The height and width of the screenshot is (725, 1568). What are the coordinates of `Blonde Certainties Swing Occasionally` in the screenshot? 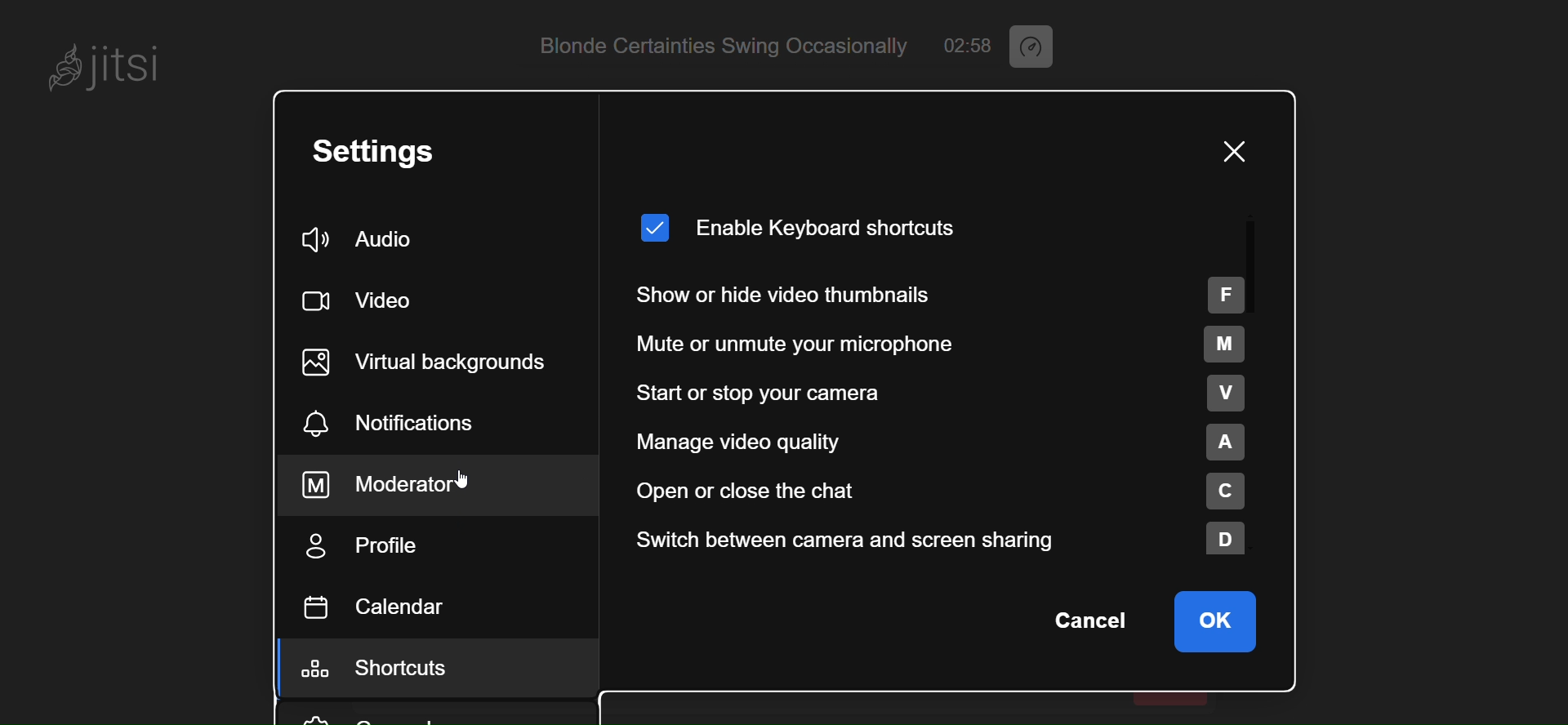 It's located at (710, 45).